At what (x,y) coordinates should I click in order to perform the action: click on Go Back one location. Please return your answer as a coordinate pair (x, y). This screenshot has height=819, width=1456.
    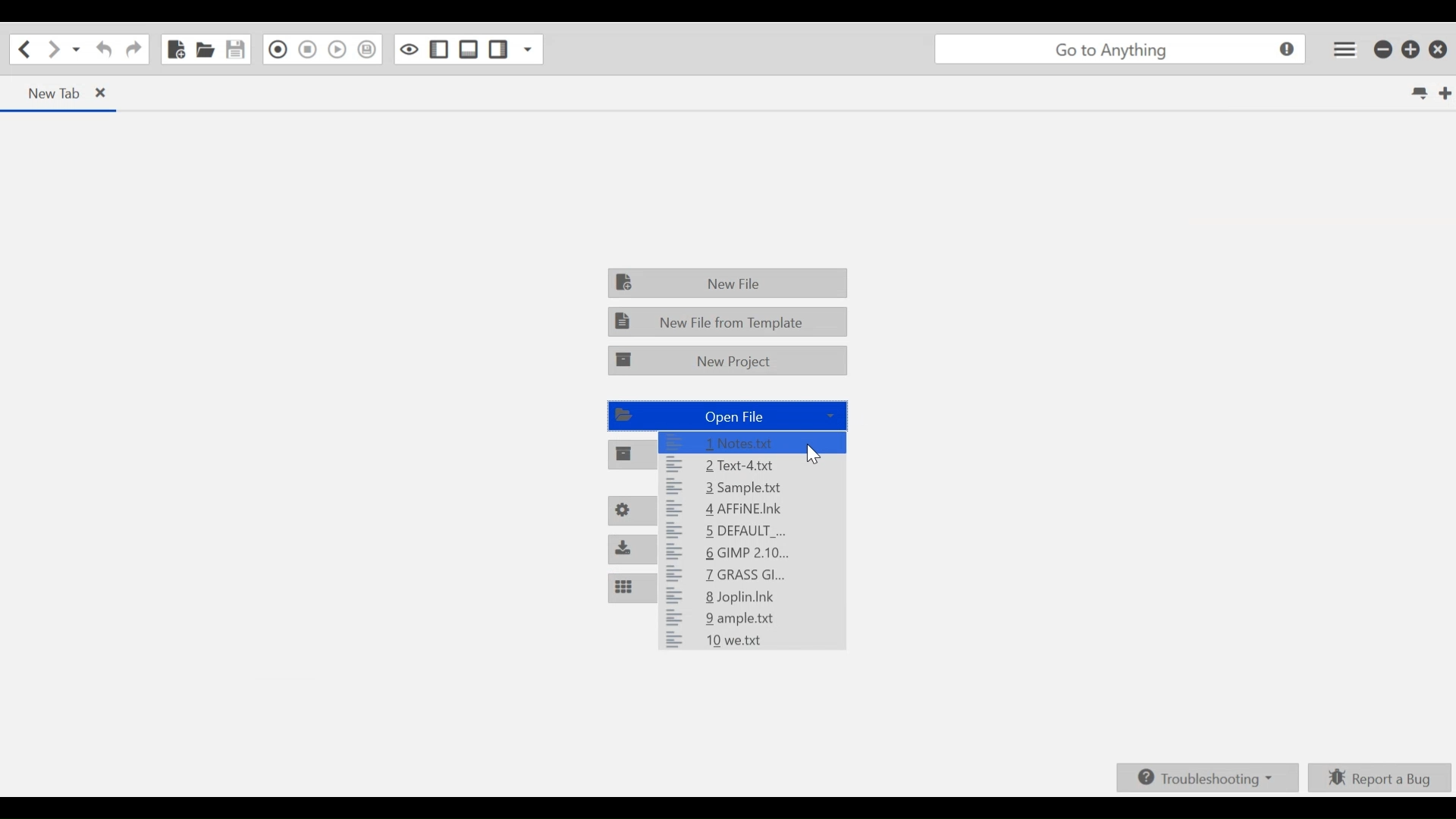
    Looking at the image, I should click on (24, 49).